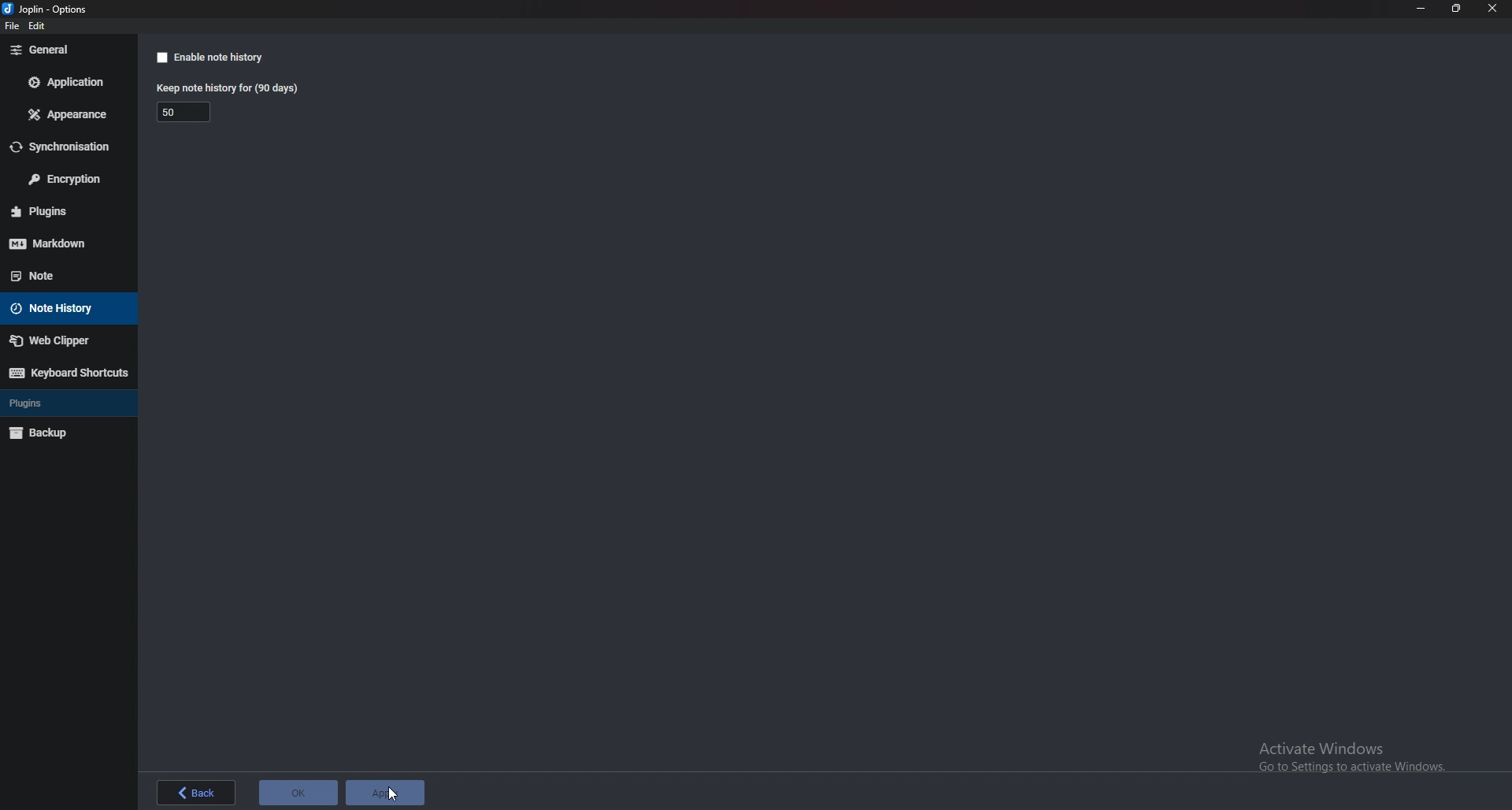  I want to click on plugins, so click(65, 210).